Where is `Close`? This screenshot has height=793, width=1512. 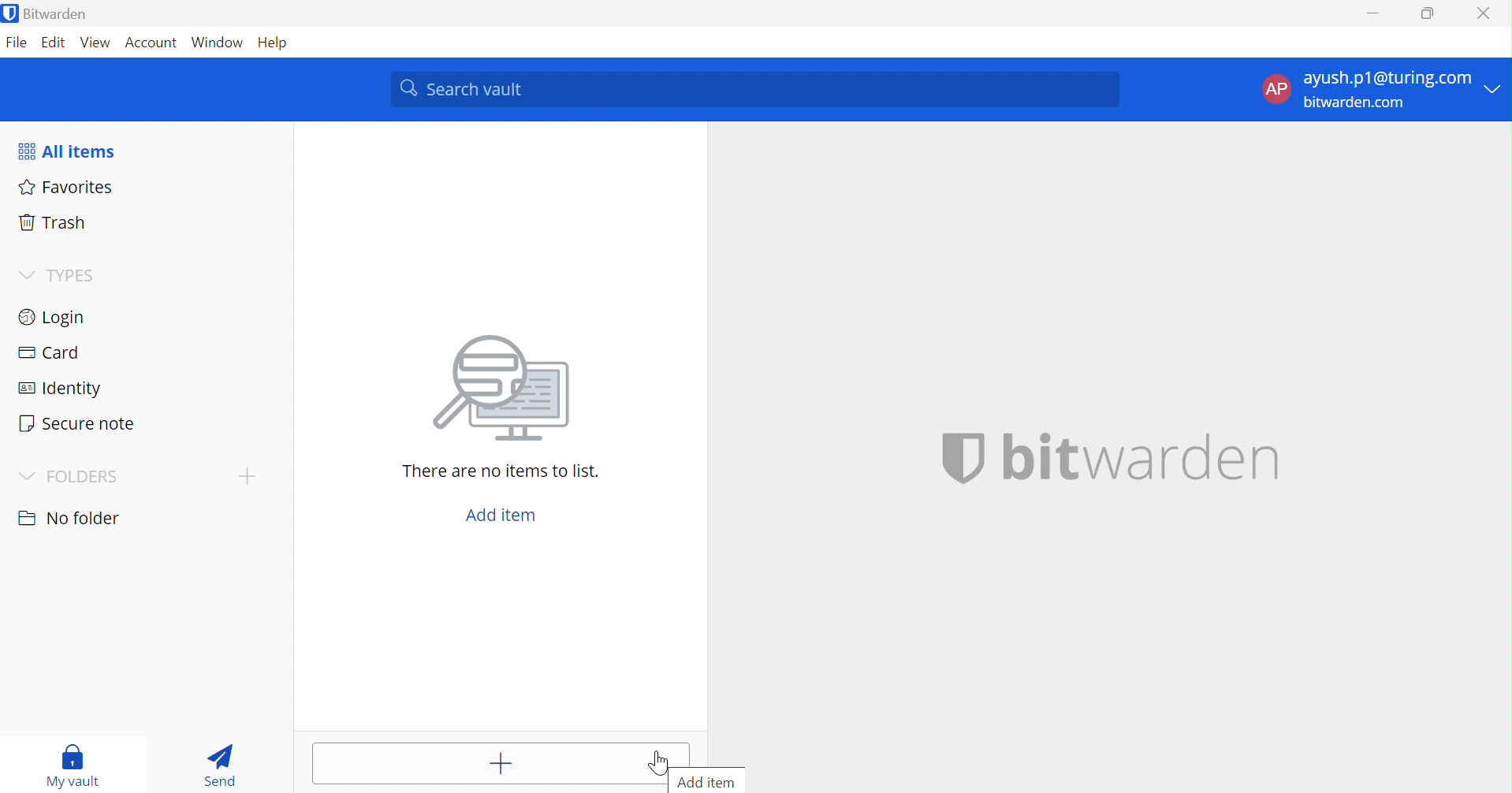
Close is located at coordinates (1486, 13).